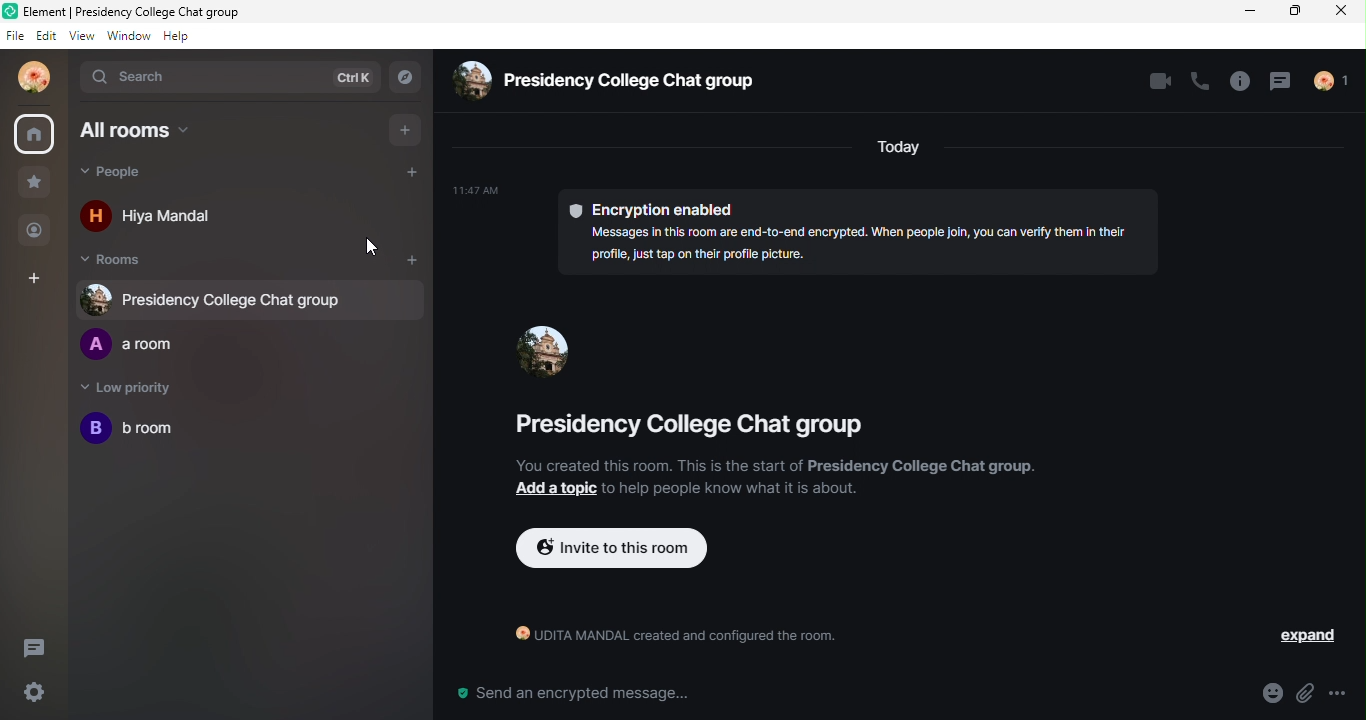  I want to click on low priority, so click(133, 390).